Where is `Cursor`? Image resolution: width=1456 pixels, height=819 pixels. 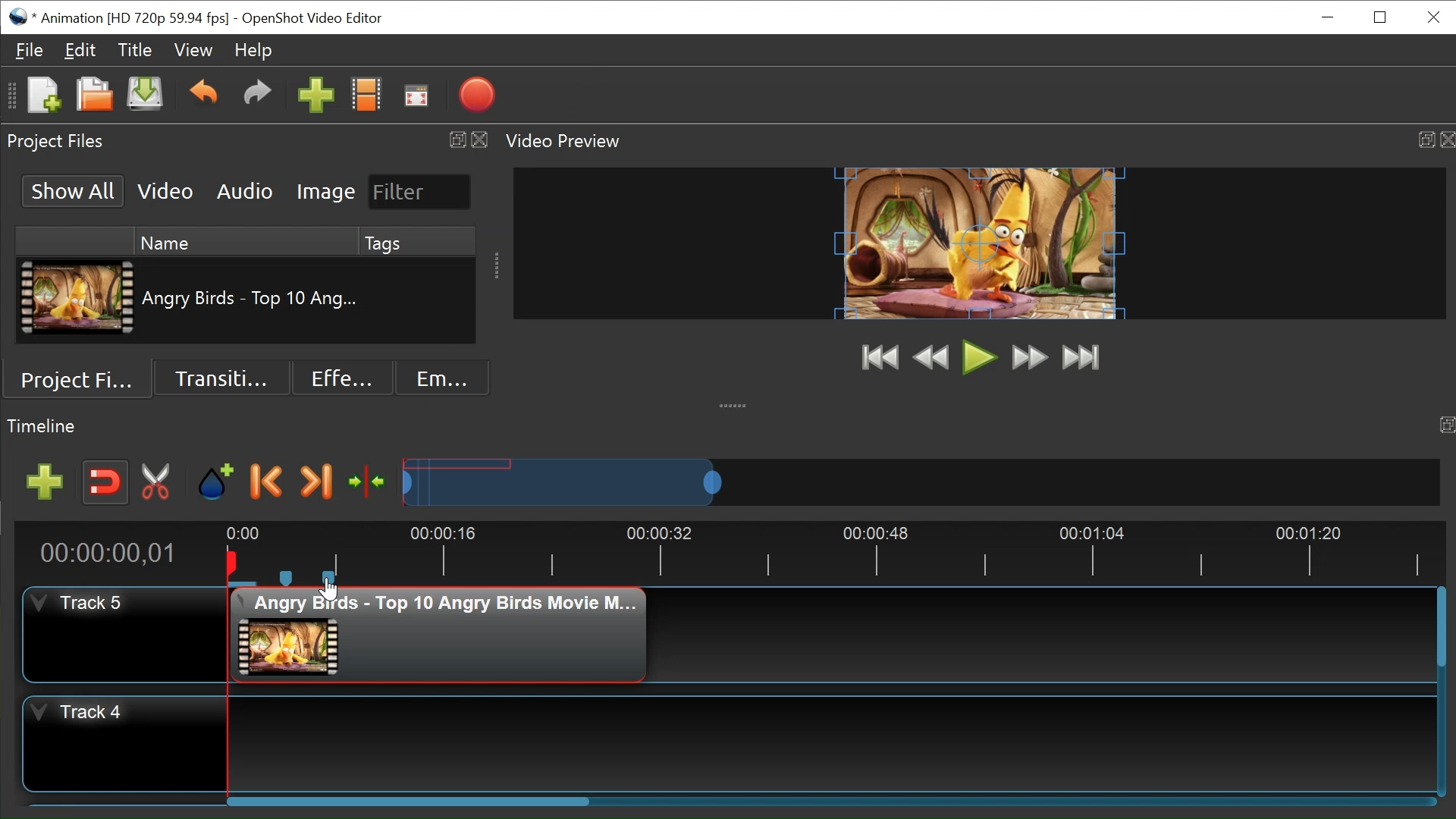
Cursor is located at coordinates (331, 590).